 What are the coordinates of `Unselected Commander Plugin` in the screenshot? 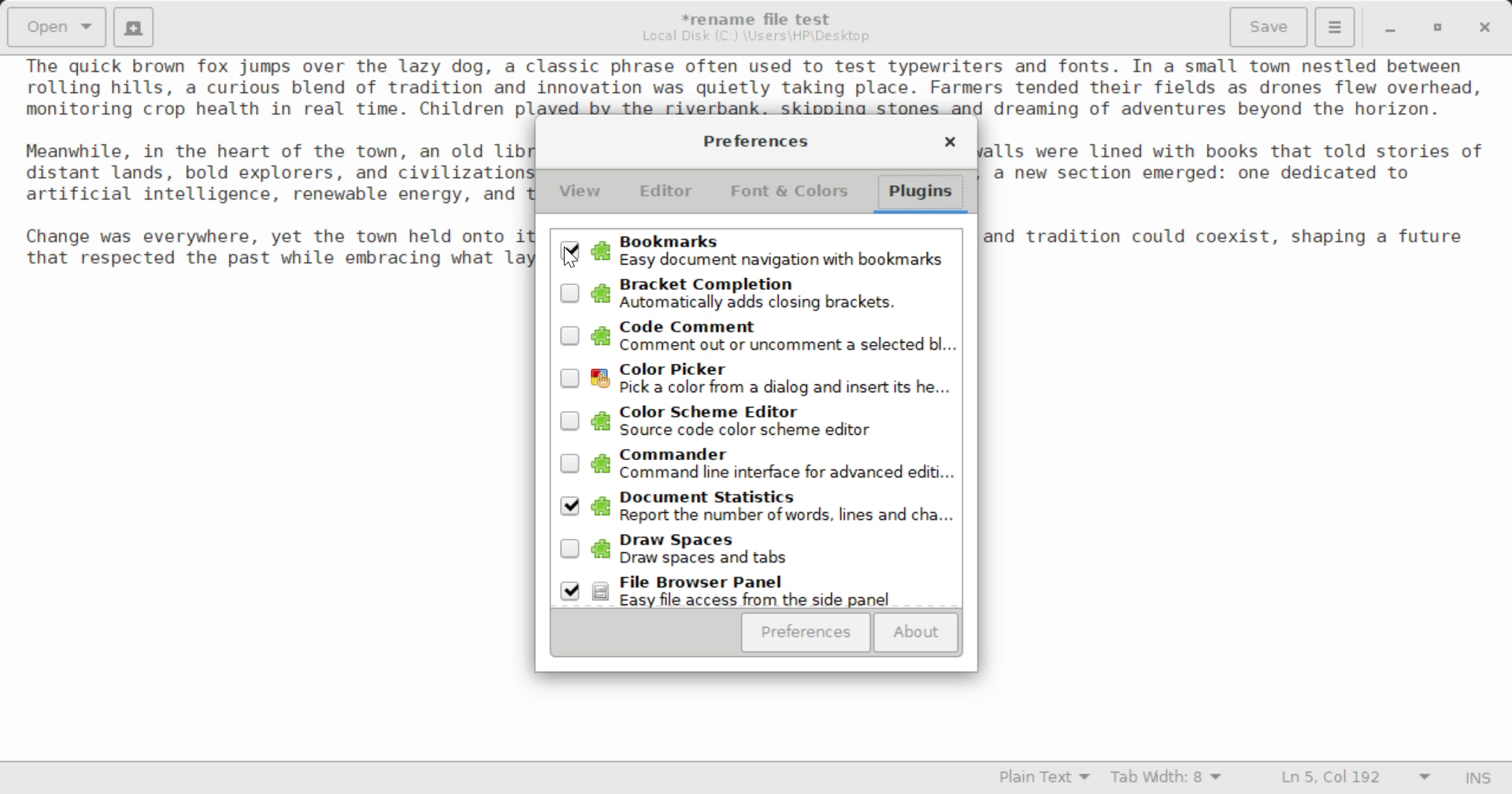 It's located at (758, 466).